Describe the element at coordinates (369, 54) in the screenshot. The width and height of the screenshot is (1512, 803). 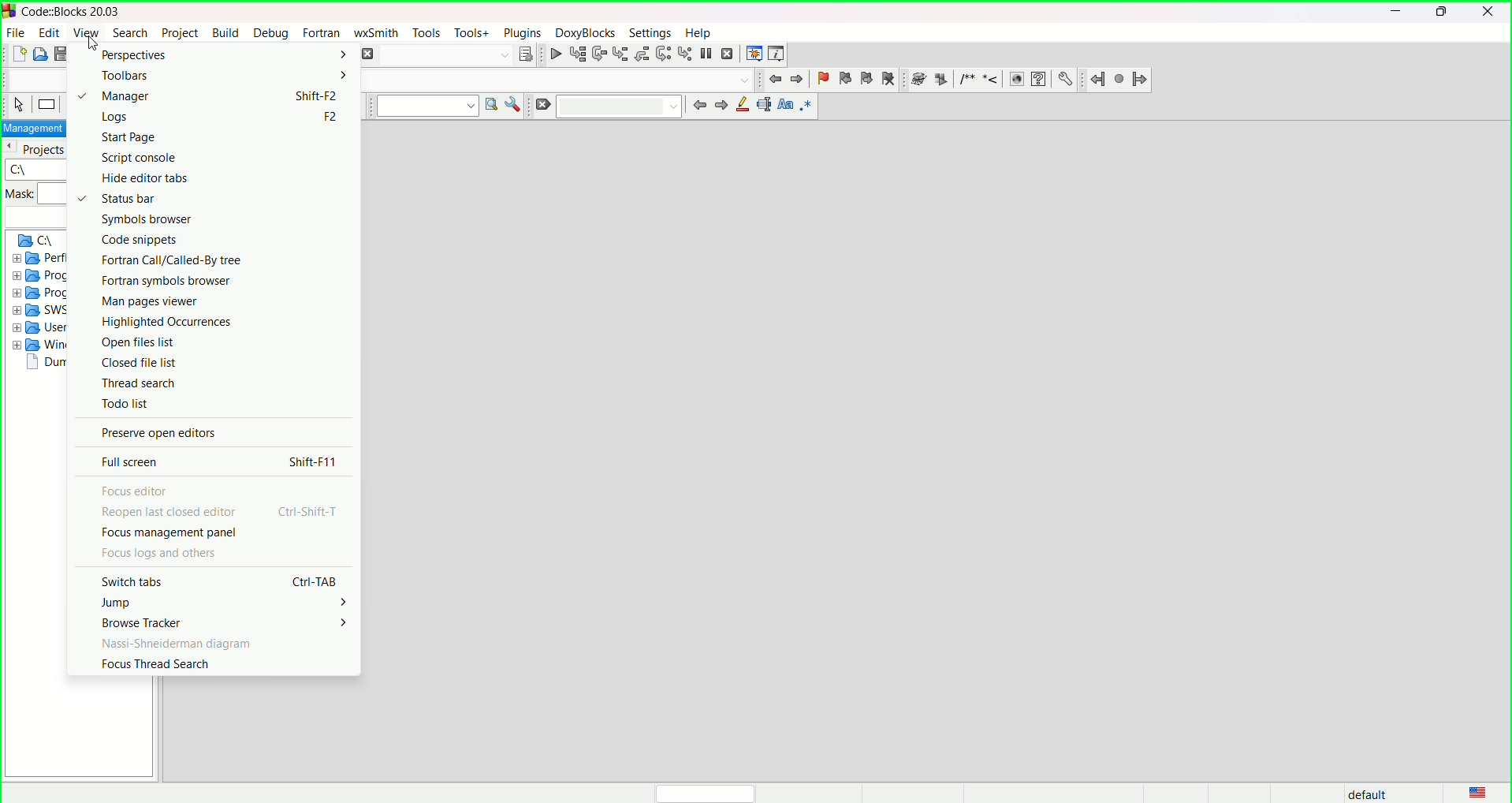
I see `abort` at that location.